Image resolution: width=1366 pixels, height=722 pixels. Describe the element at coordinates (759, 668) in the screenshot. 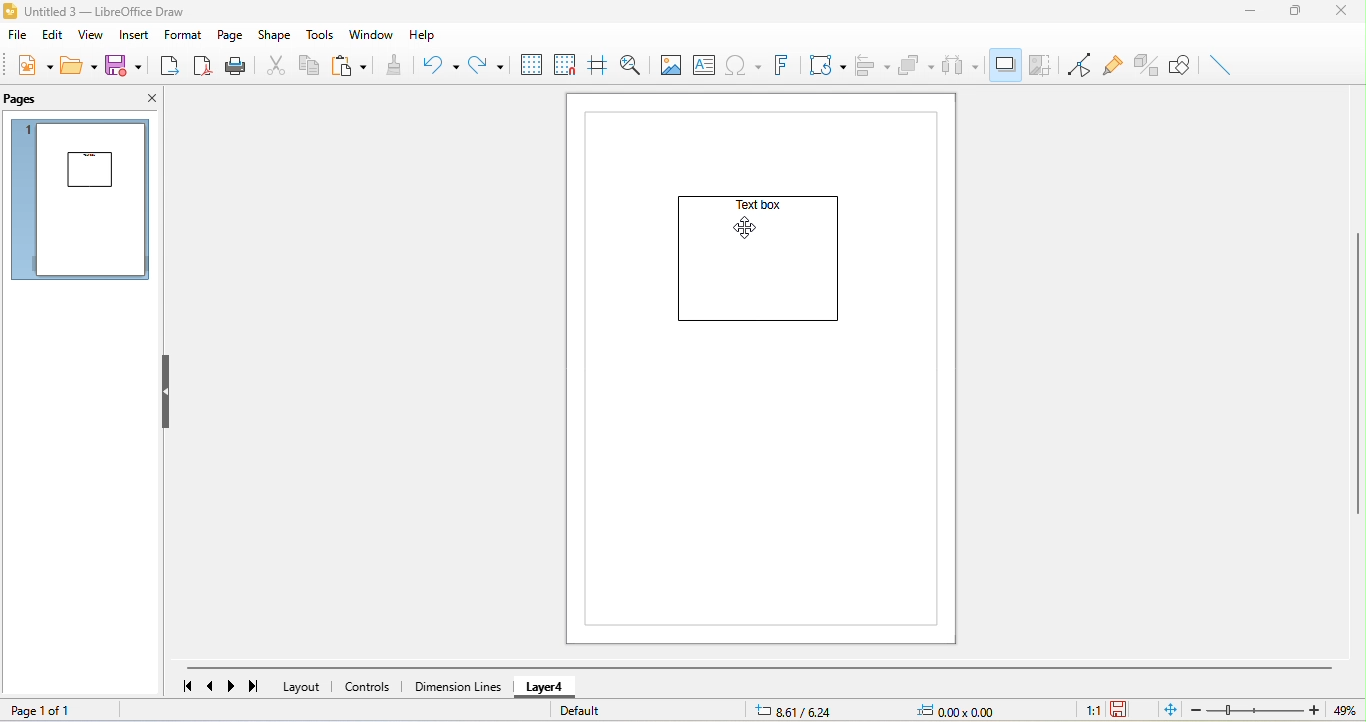

I see `horizontal scroll bar` at that location.